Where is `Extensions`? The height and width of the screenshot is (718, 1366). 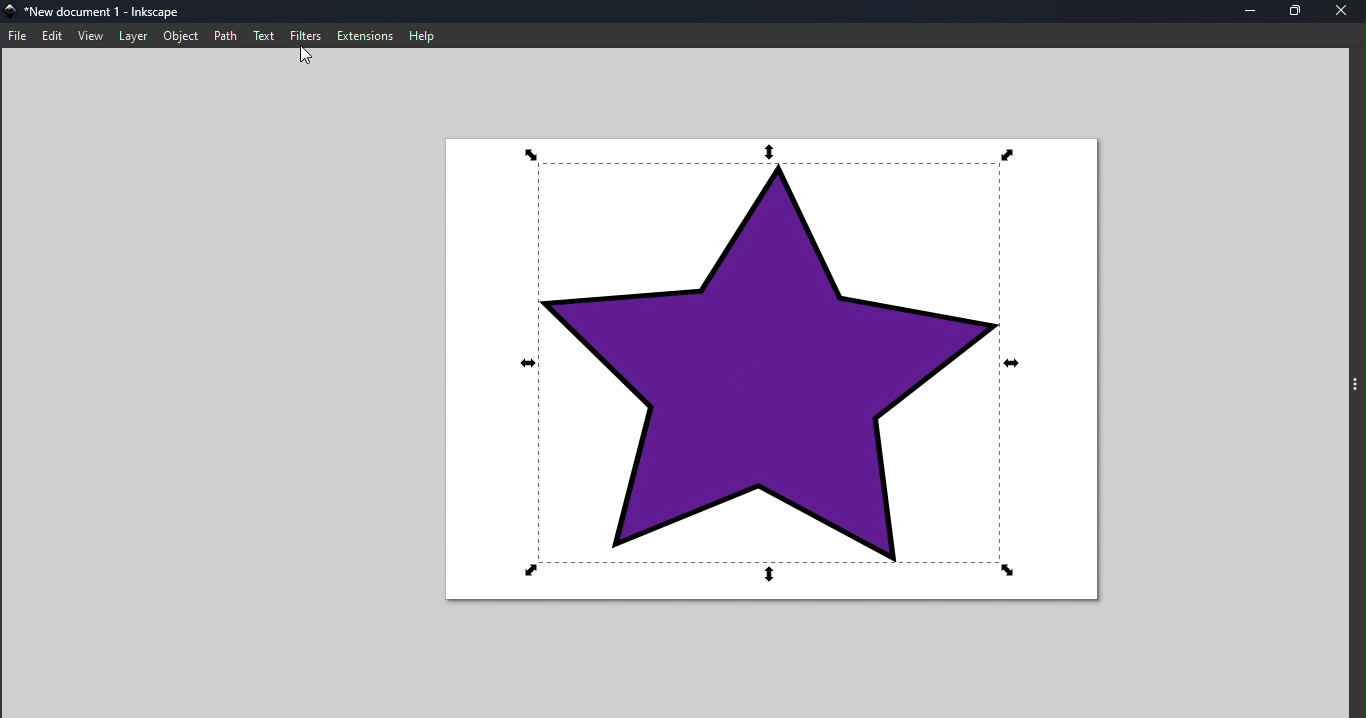 Extensions is located at coordinates (360, 34).